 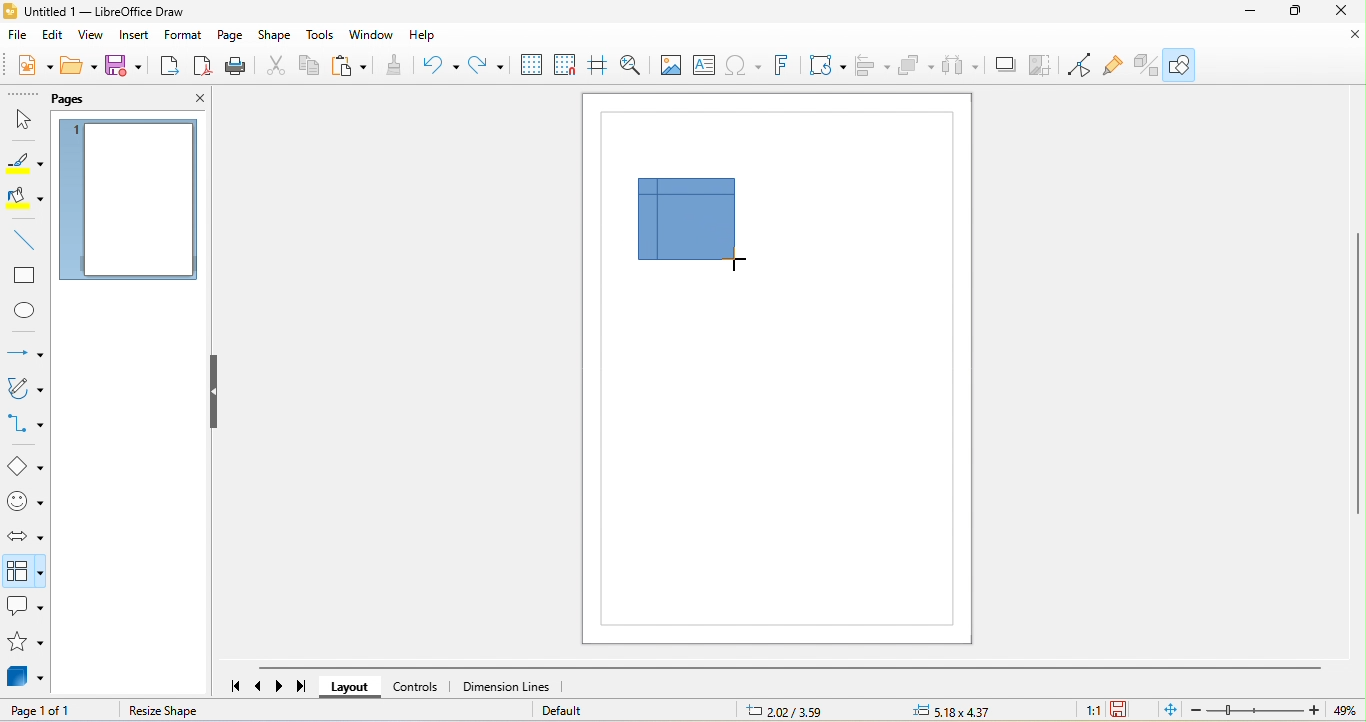 I want to click on file, so click(x=20, y=37).